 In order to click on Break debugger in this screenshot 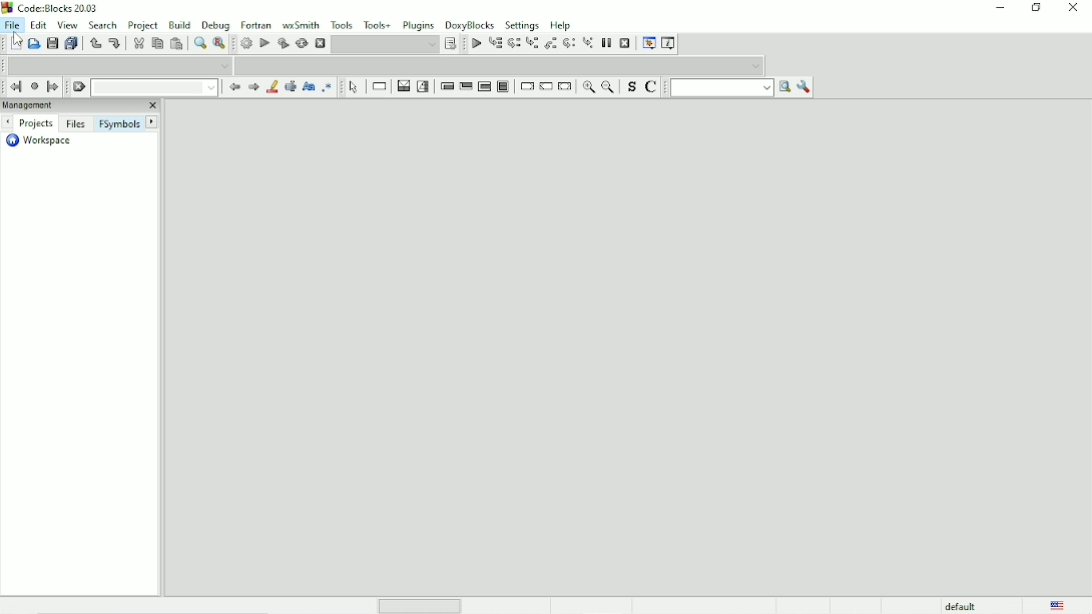, I will do `click(607, 43)`.